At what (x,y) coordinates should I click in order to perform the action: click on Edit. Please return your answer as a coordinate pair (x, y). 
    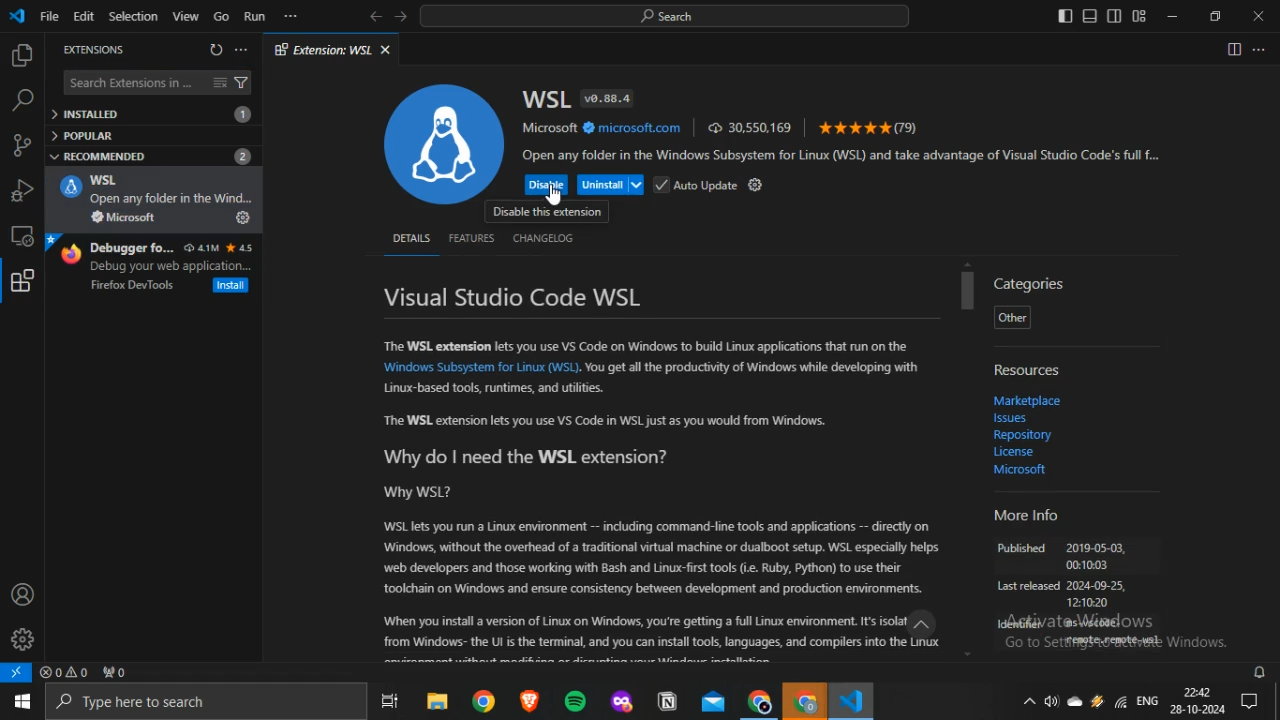
    Looking at the image, I should click on (82, 16).